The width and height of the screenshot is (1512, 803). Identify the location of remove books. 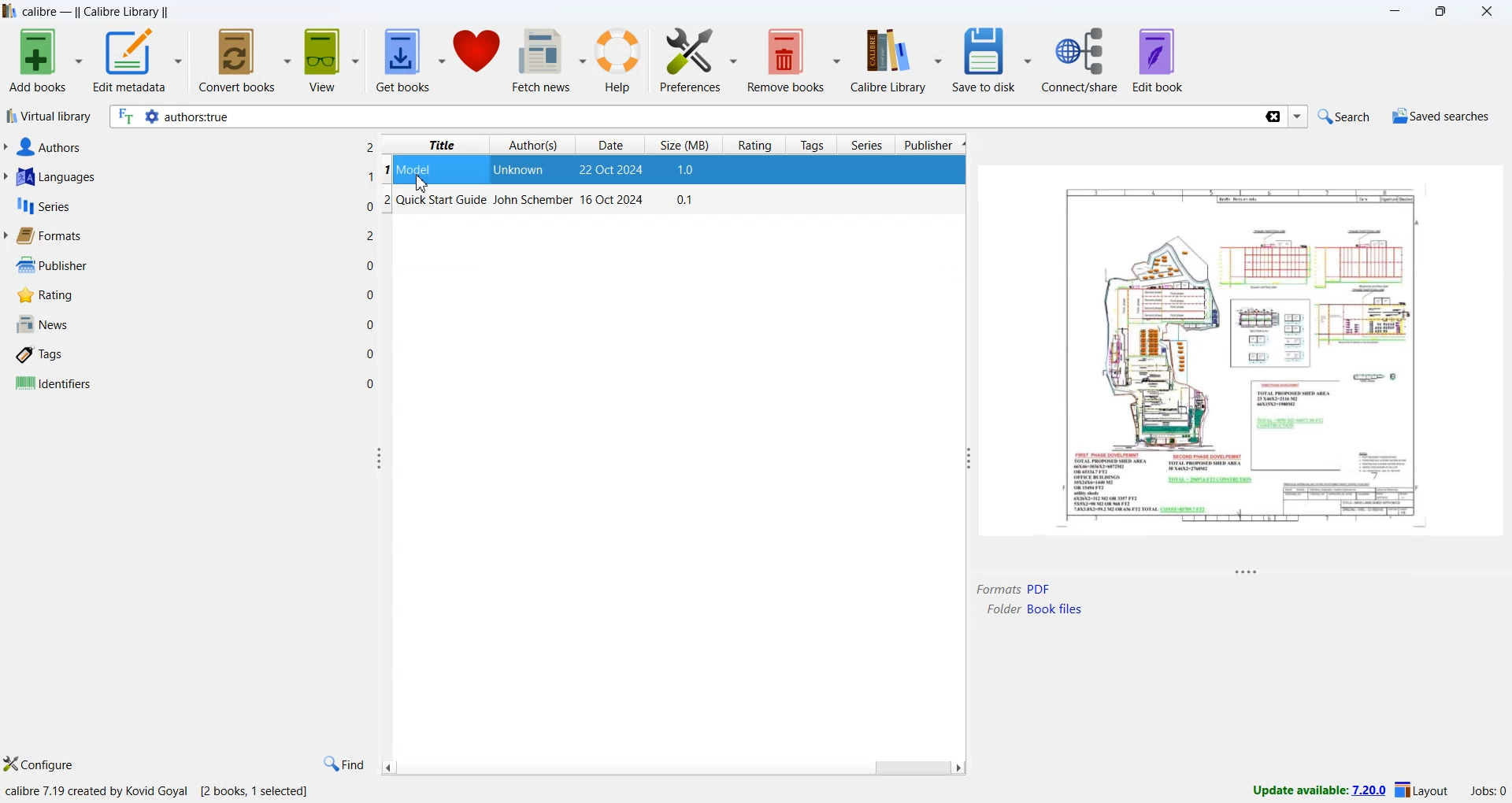
(795, 61).